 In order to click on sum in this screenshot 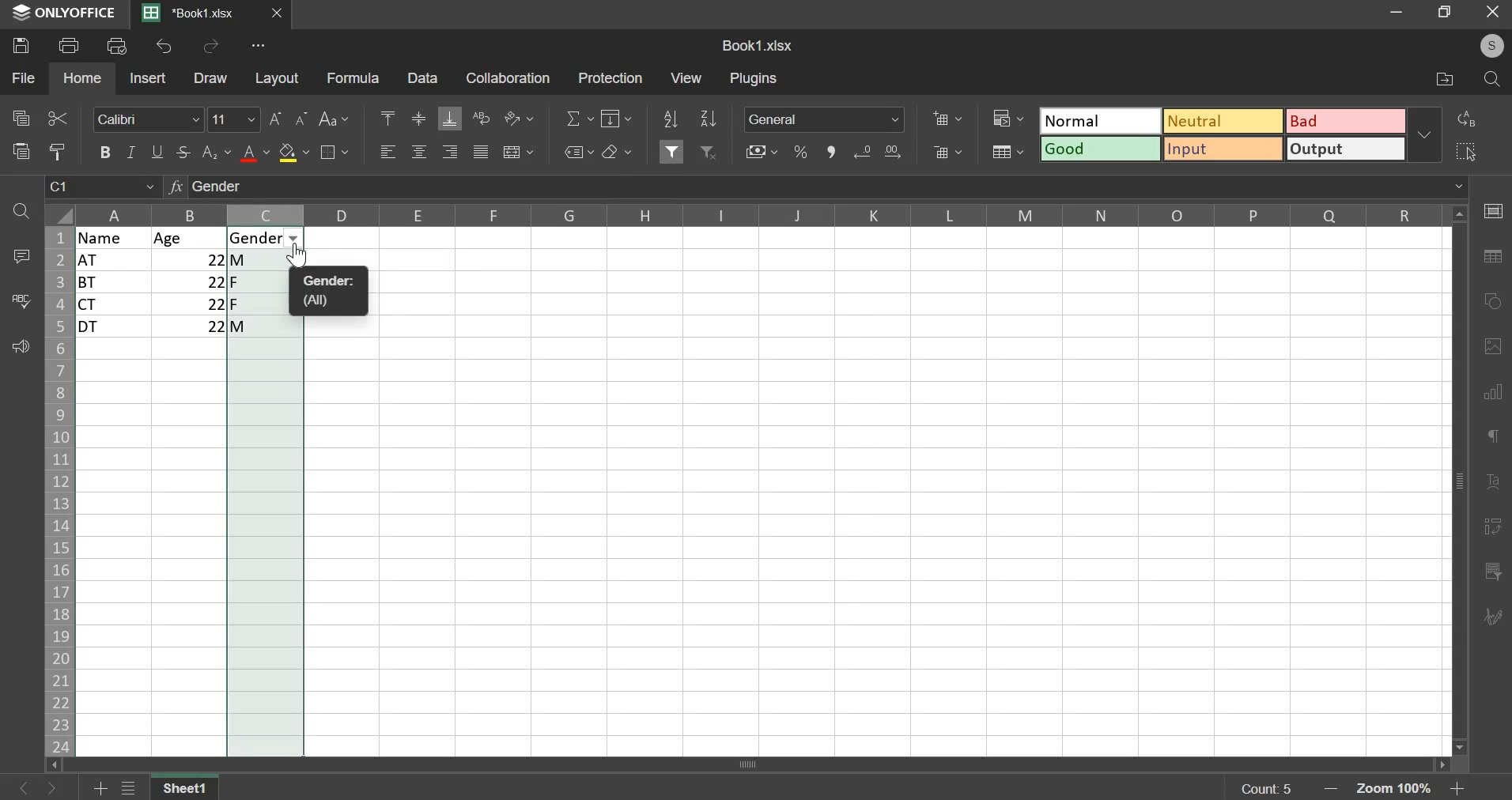, I will do `click(581, 118)`.